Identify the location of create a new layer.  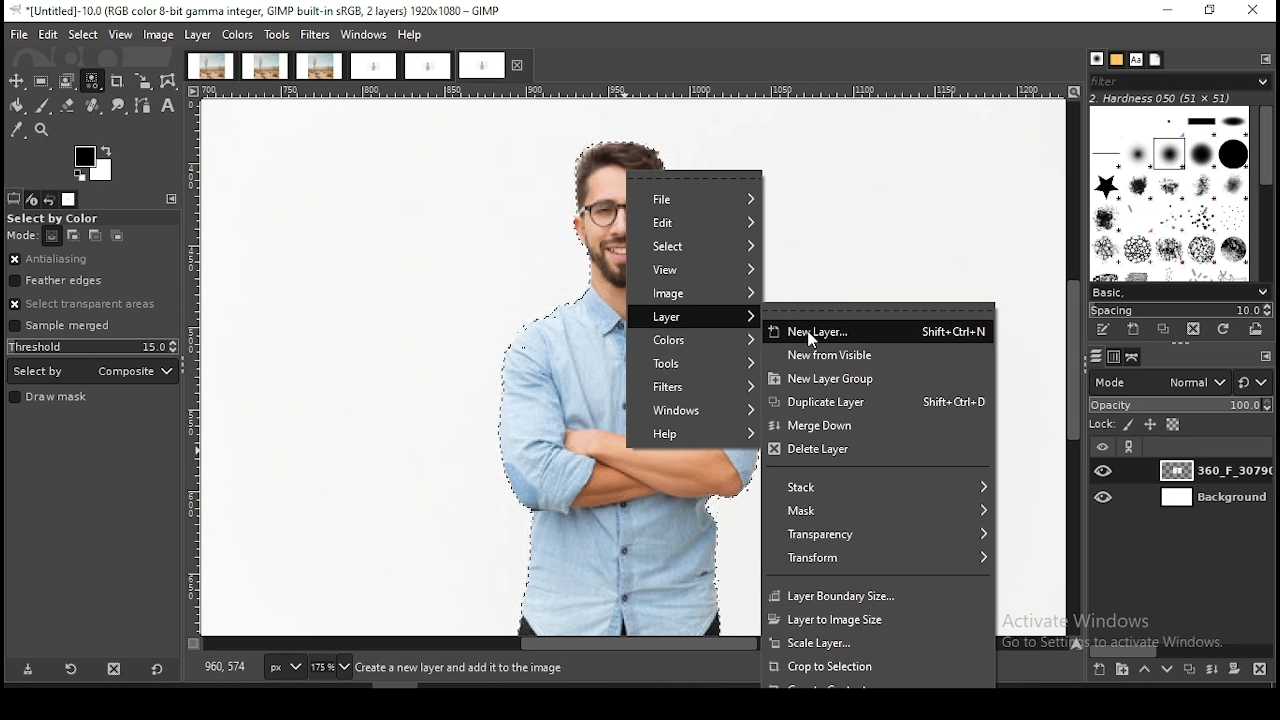
(1100, 668).